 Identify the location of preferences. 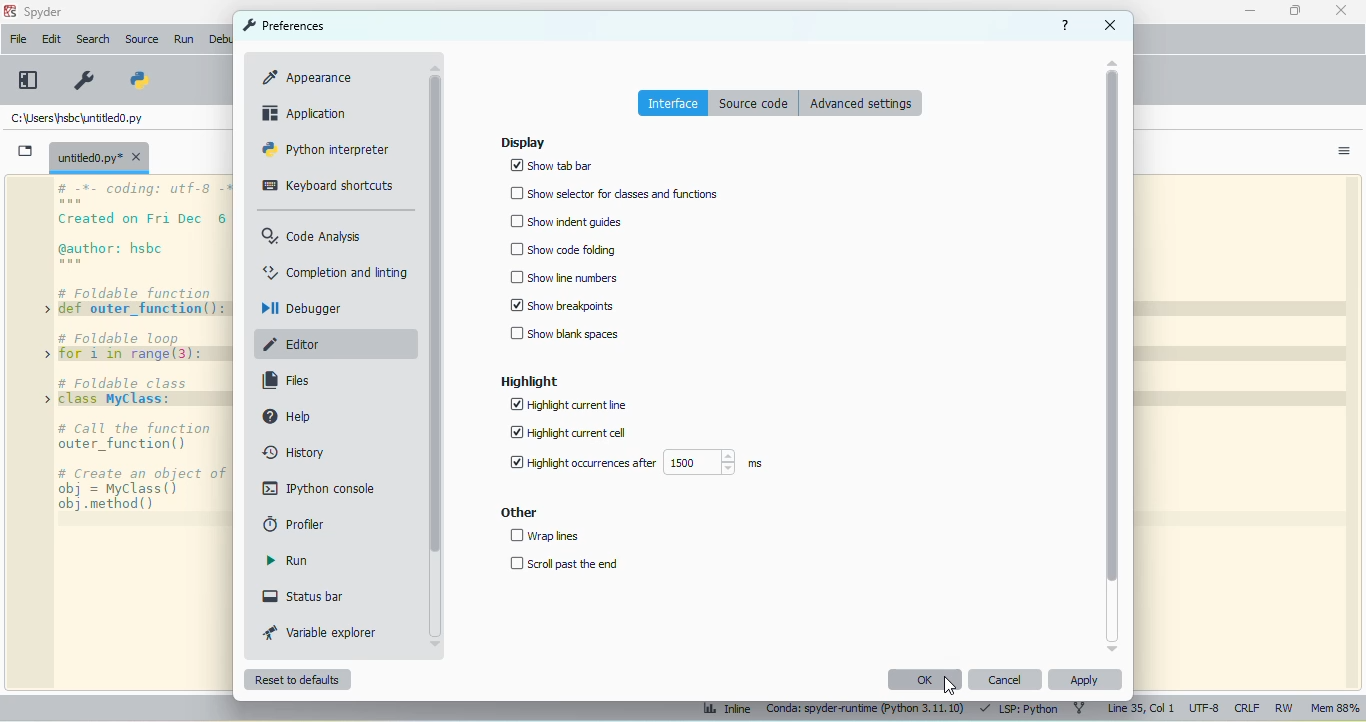
(283, 25).